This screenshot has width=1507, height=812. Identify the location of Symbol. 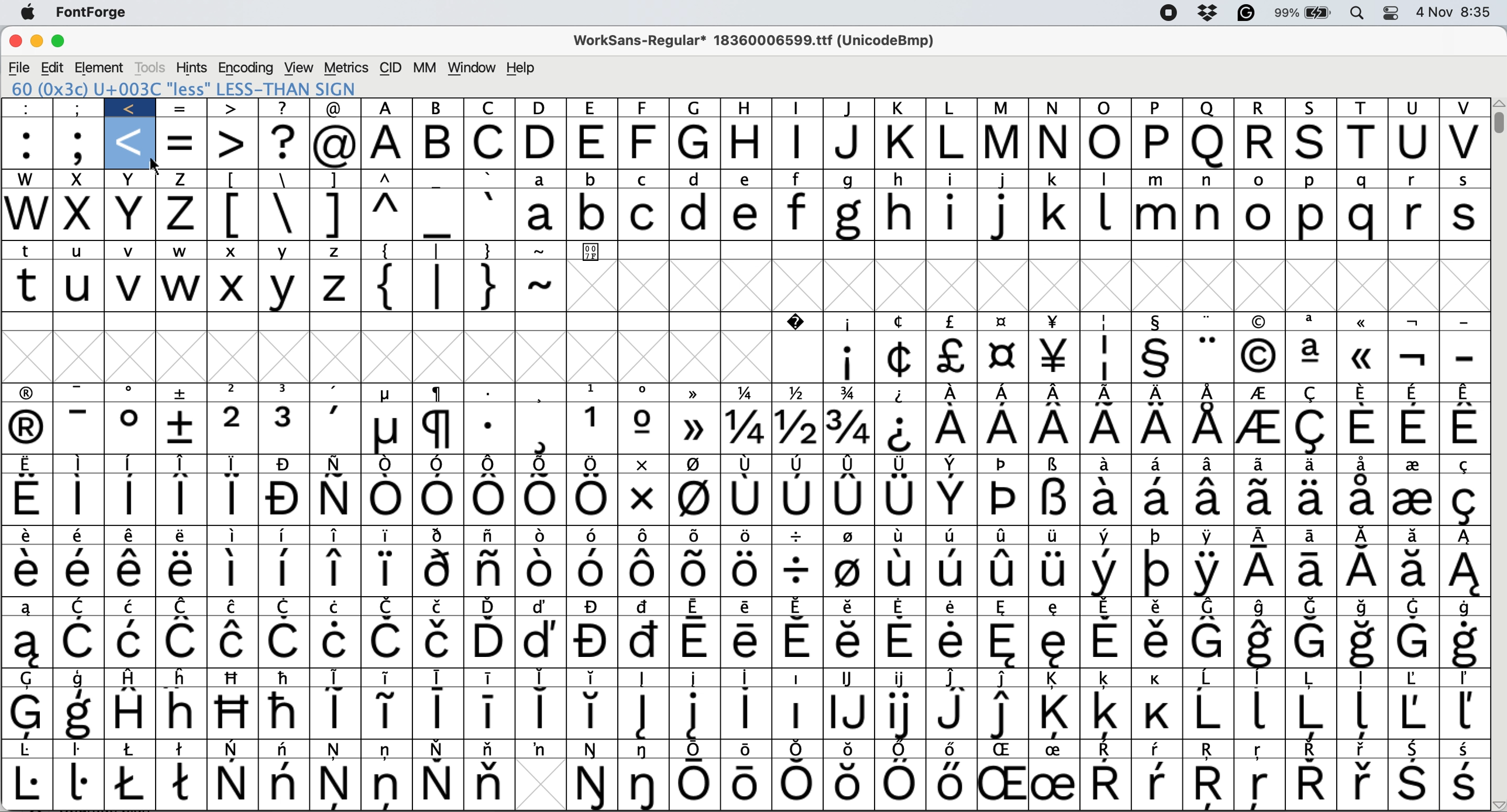
(794, 430).